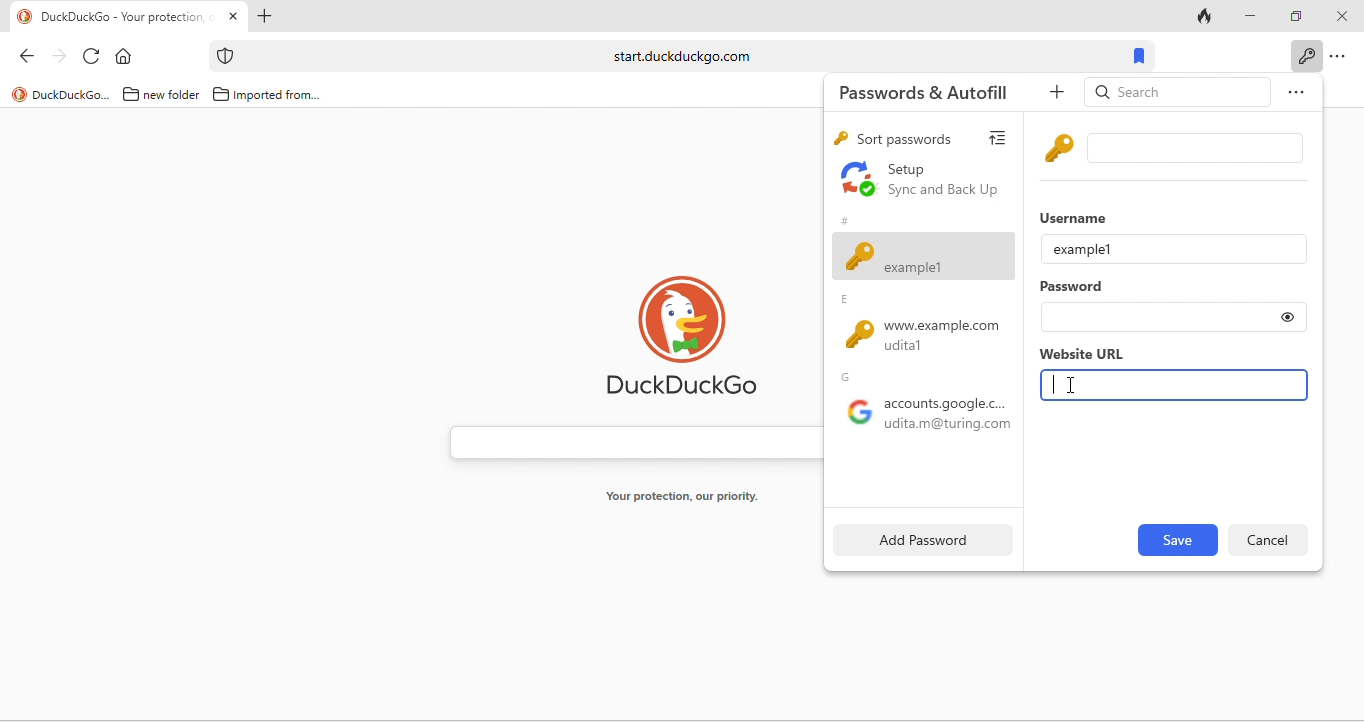 Image resolution: width=1364 pixels, height=722 pixels. What do you see at coordinates (1083, 248) in the screenshot?
I see `example1` at bounding box center [1083, 248].